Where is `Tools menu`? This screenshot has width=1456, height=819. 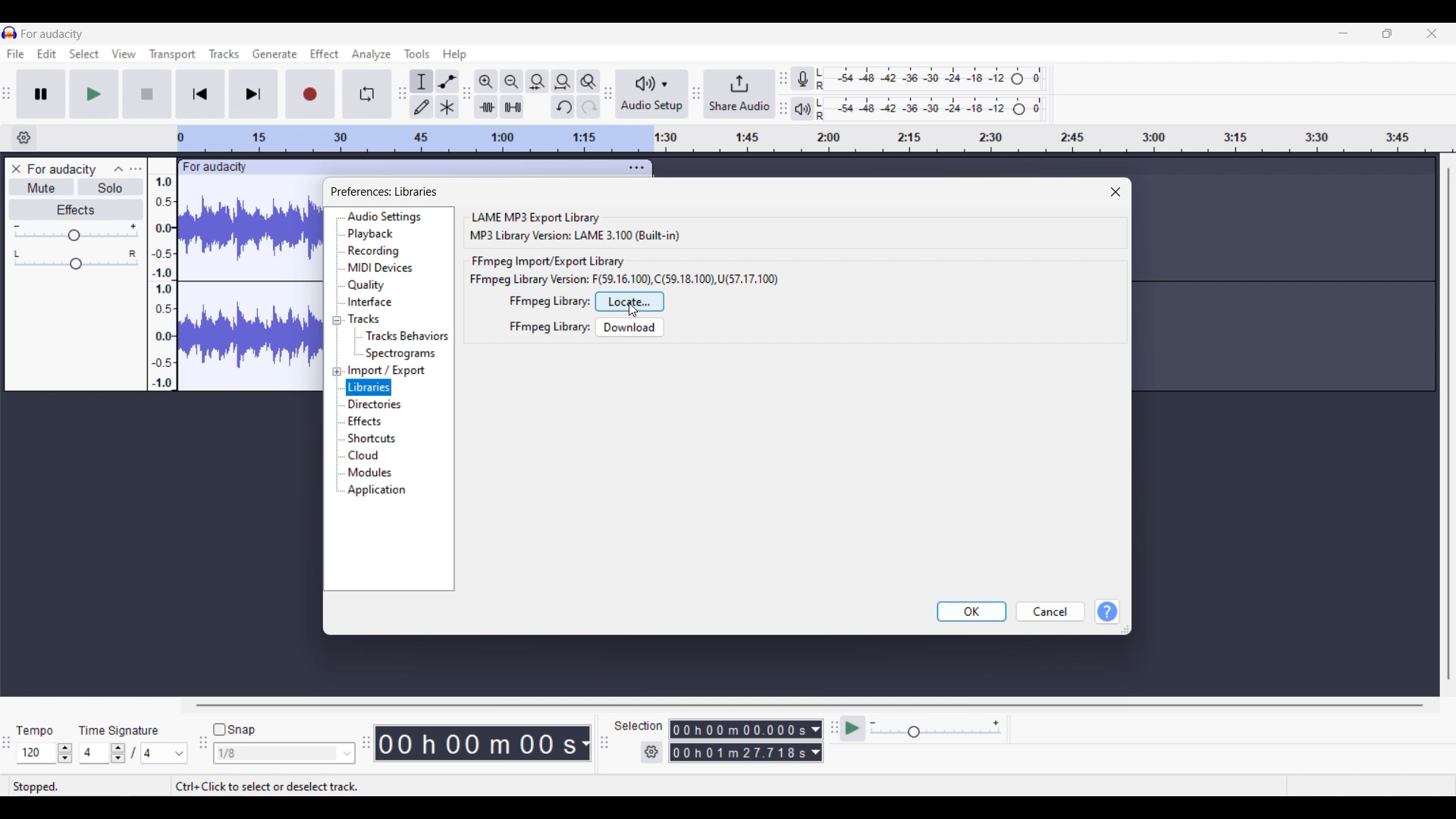
Tools menu is located at coordinates (418, 54).